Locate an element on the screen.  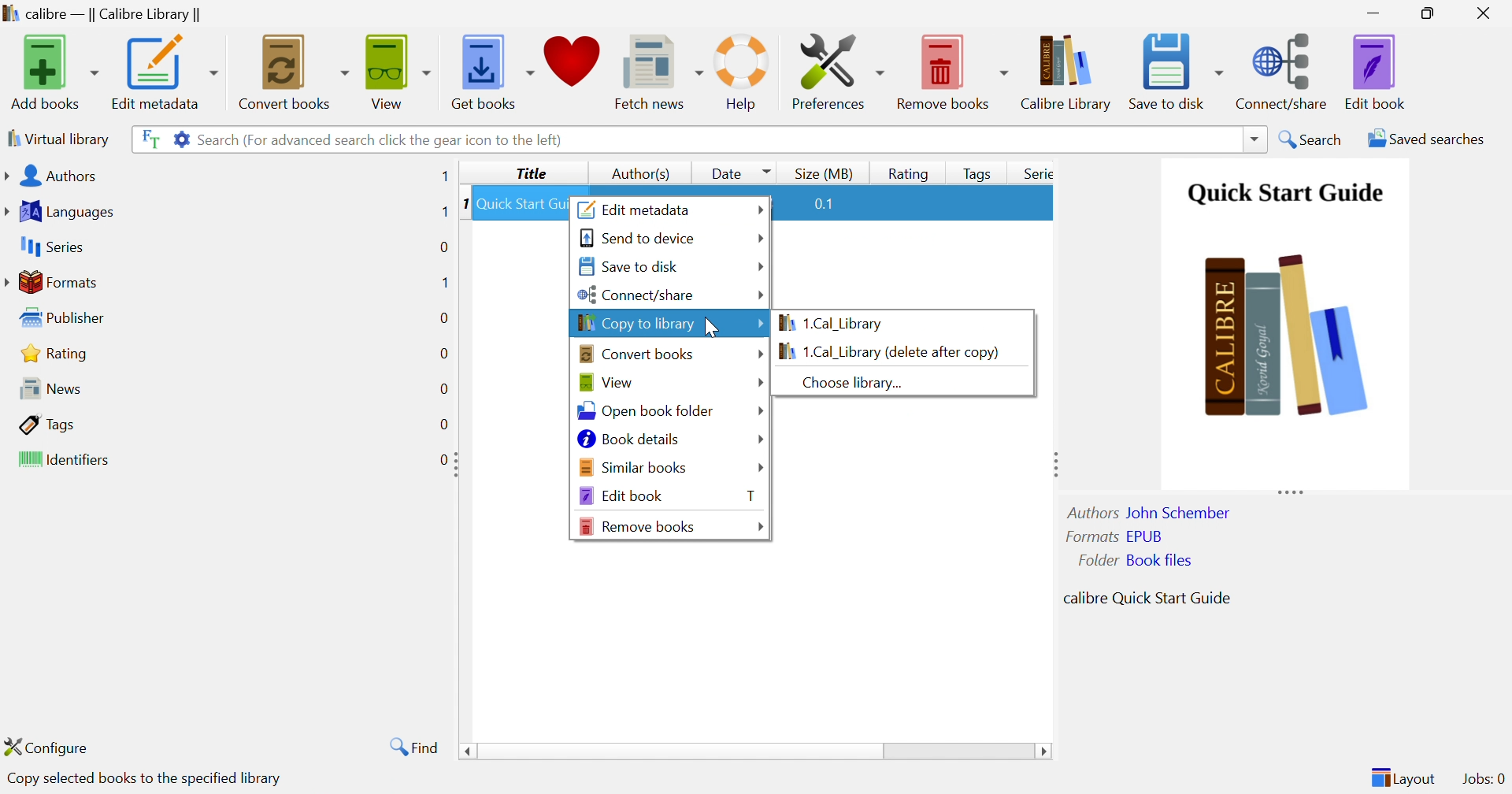
languages is located at coordinates (65, 210).